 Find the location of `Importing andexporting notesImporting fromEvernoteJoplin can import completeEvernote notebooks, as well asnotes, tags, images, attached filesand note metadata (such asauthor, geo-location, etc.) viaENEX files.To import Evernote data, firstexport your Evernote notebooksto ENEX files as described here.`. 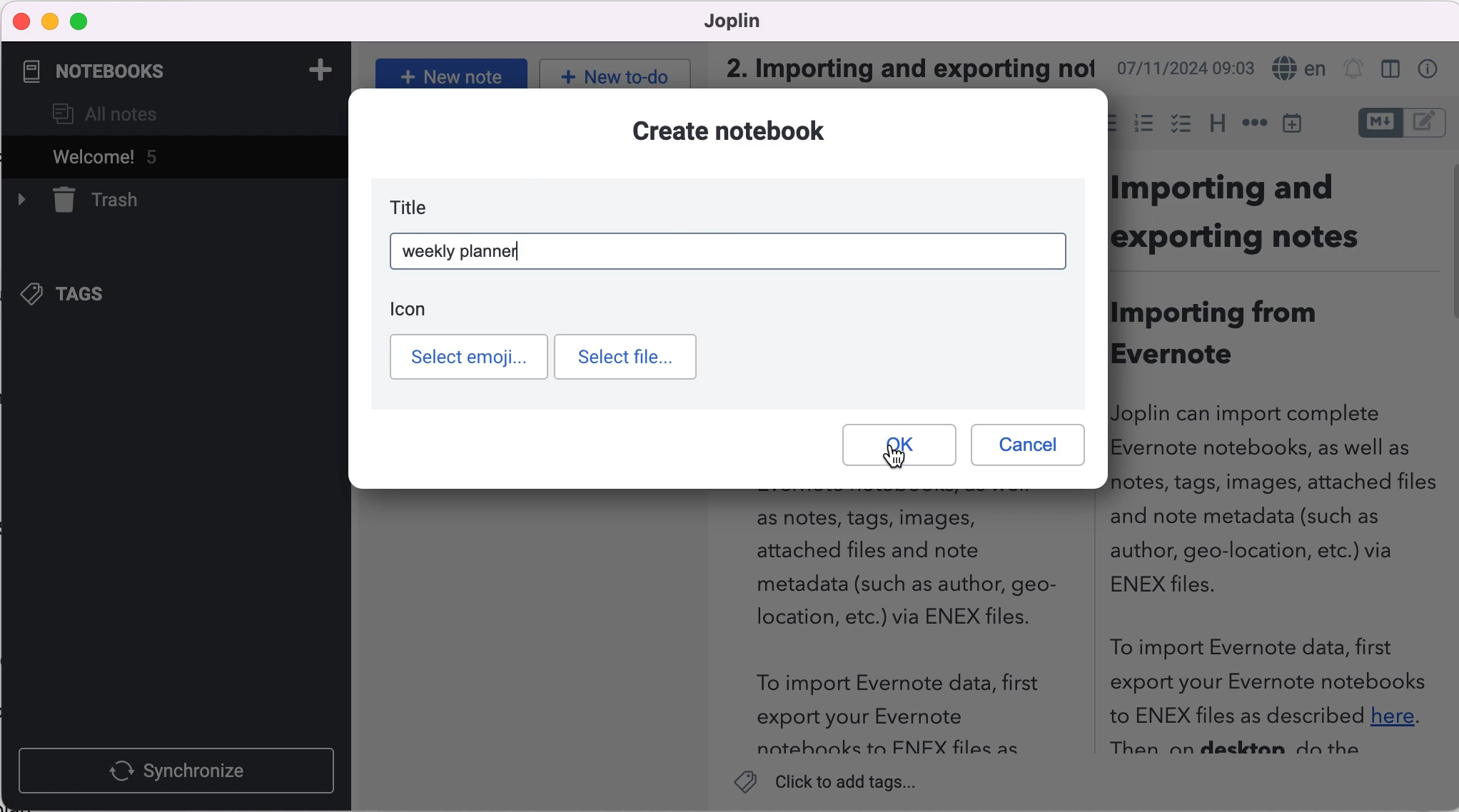

Importing andexporting notesImporting fromEvernoteJoplin can import completeEvernote notebooks, as well asnotes, tags, images, attached filesand note metadata (such asauthor, geo-location, etc.) viaENEX files.To import Evernote data, firstexport your Evernote notebooksto ENEX files as described here. is located at coordinates (1276, 467).